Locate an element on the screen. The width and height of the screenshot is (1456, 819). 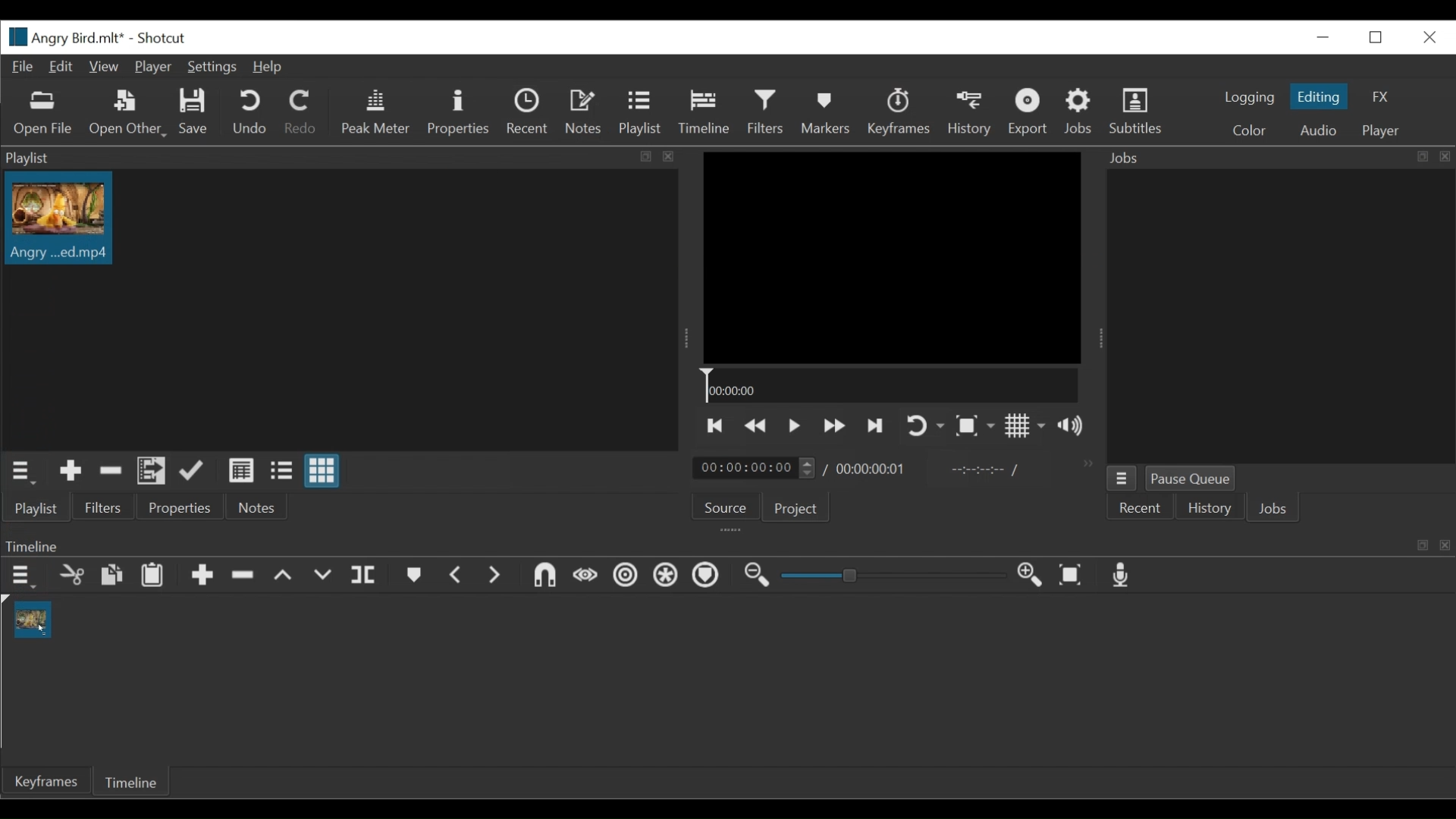
Minimize is located at coordinates (1326, 37).